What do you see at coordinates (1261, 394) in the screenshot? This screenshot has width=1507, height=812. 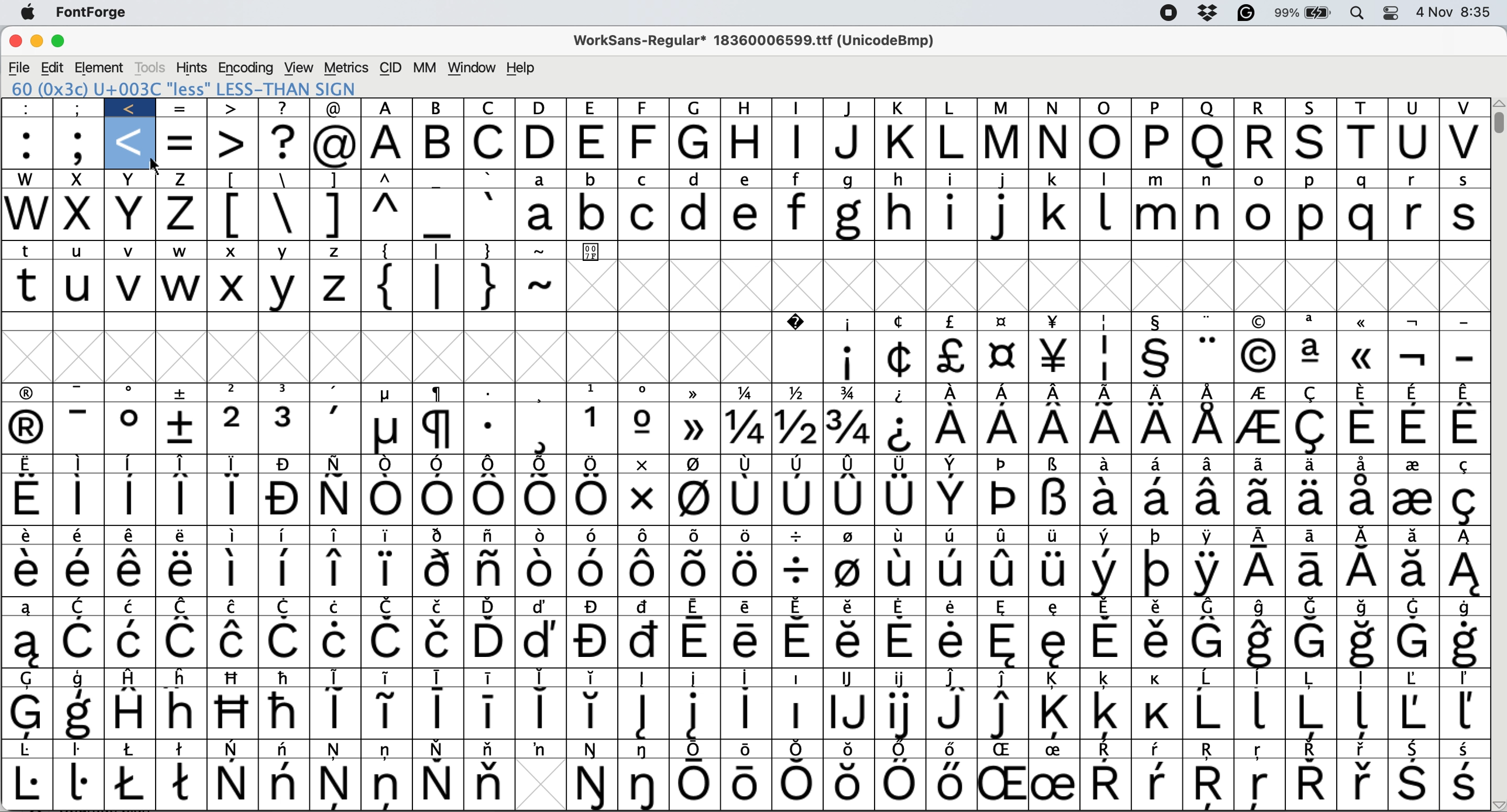 I see `Symbol` at bounding box center [1261, 394].